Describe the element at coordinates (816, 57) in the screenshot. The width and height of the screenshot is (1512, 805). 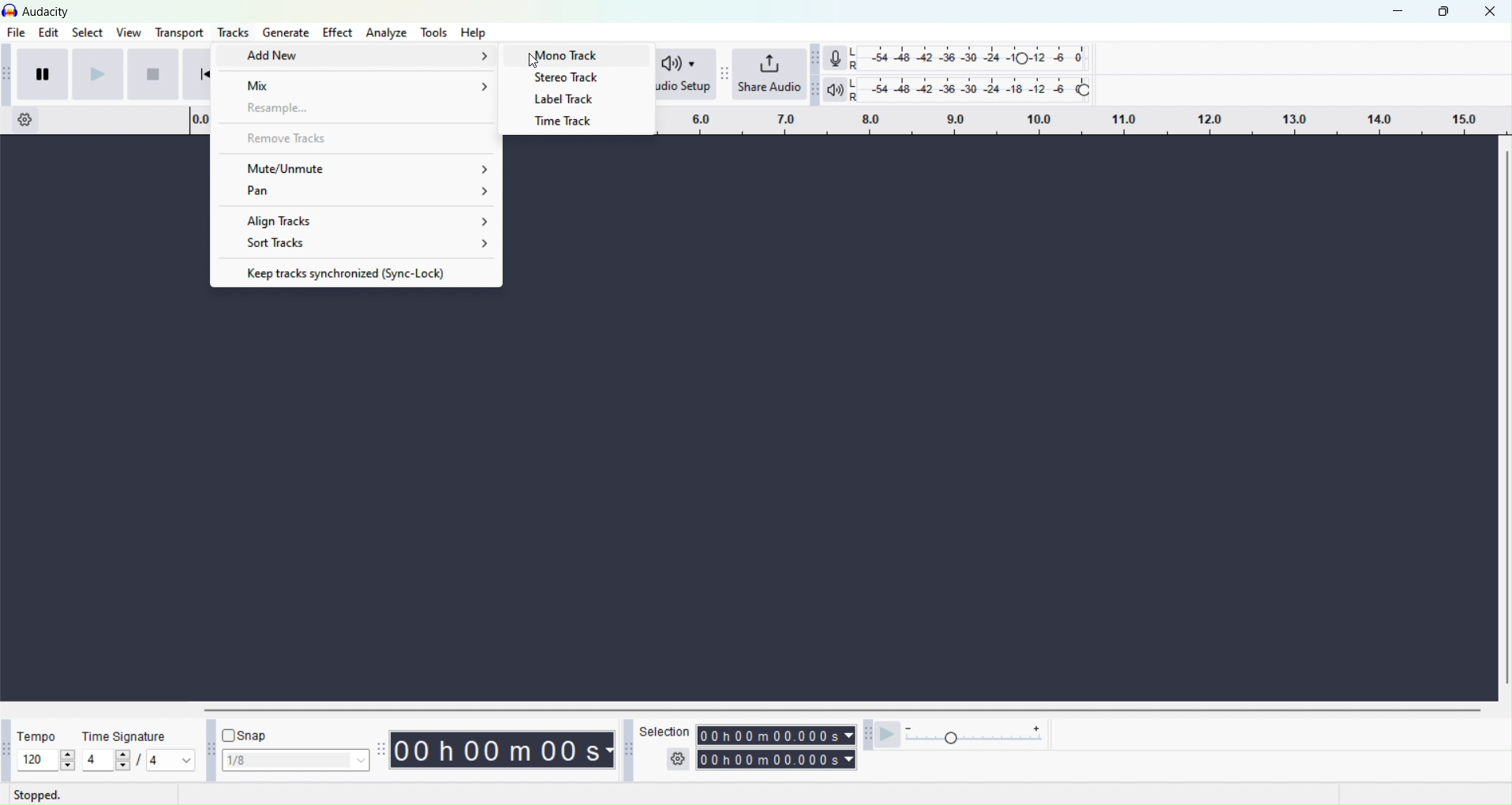
I see `Audacity recording meter toolbar` at that location.